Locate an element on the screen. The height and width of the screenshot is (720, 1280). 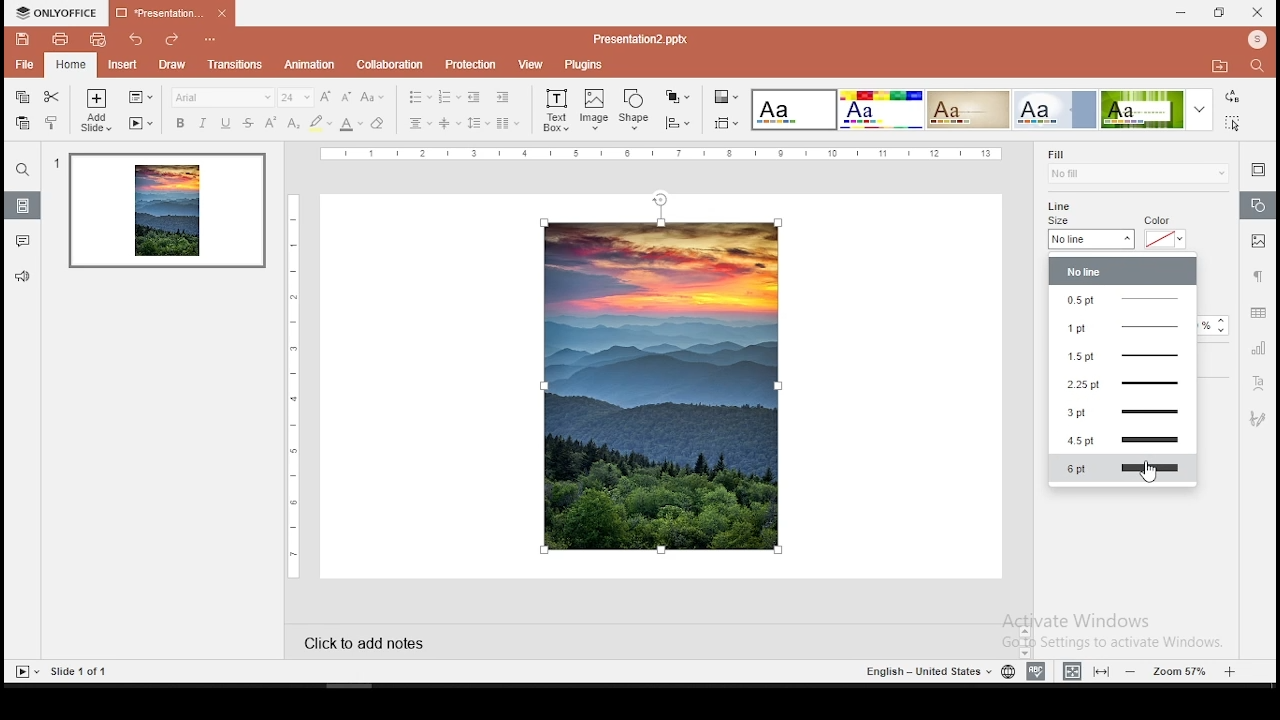
click to add notes is located at coordinates (371, 643).